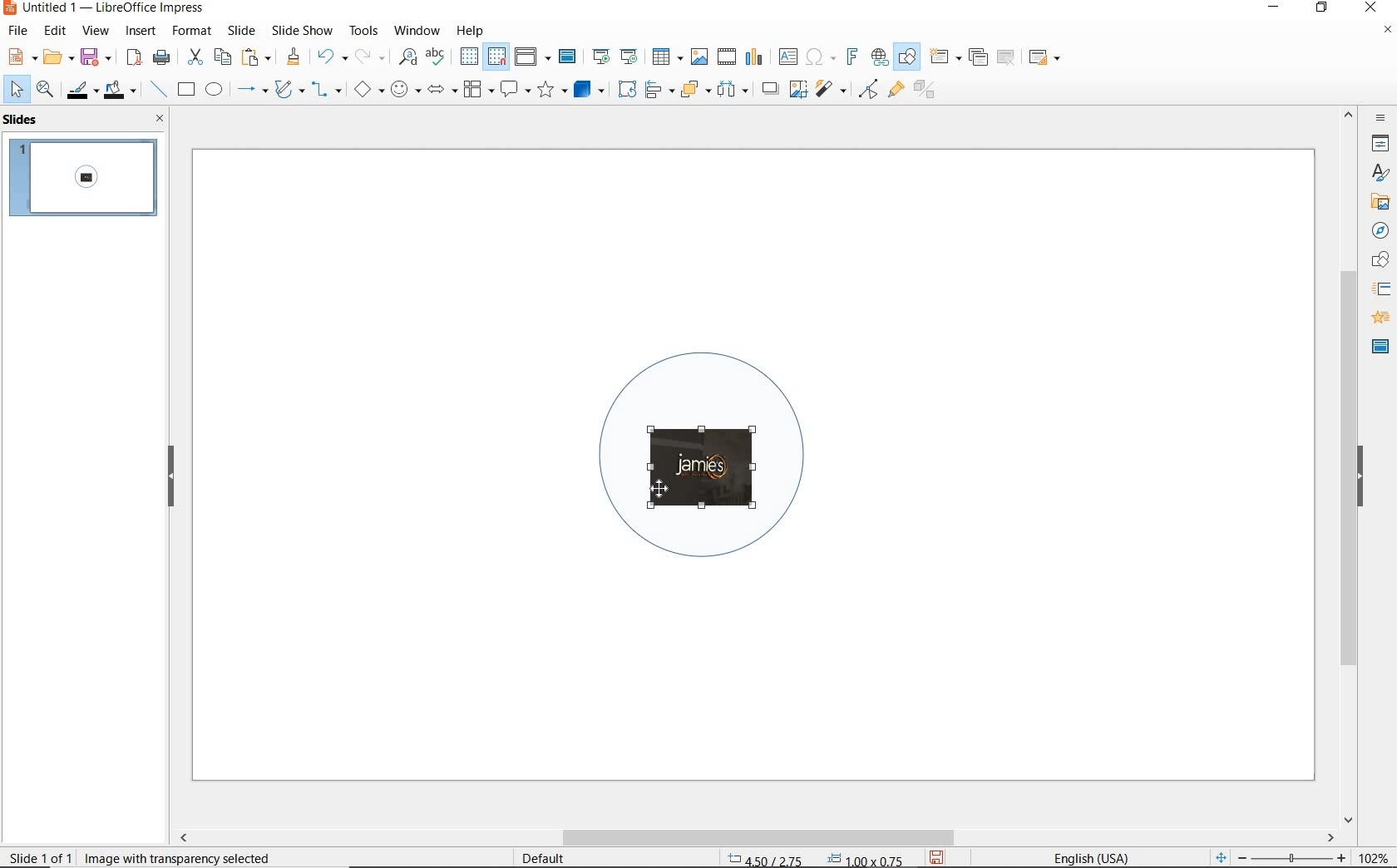  I want to click on properties, so click(1379, 143).